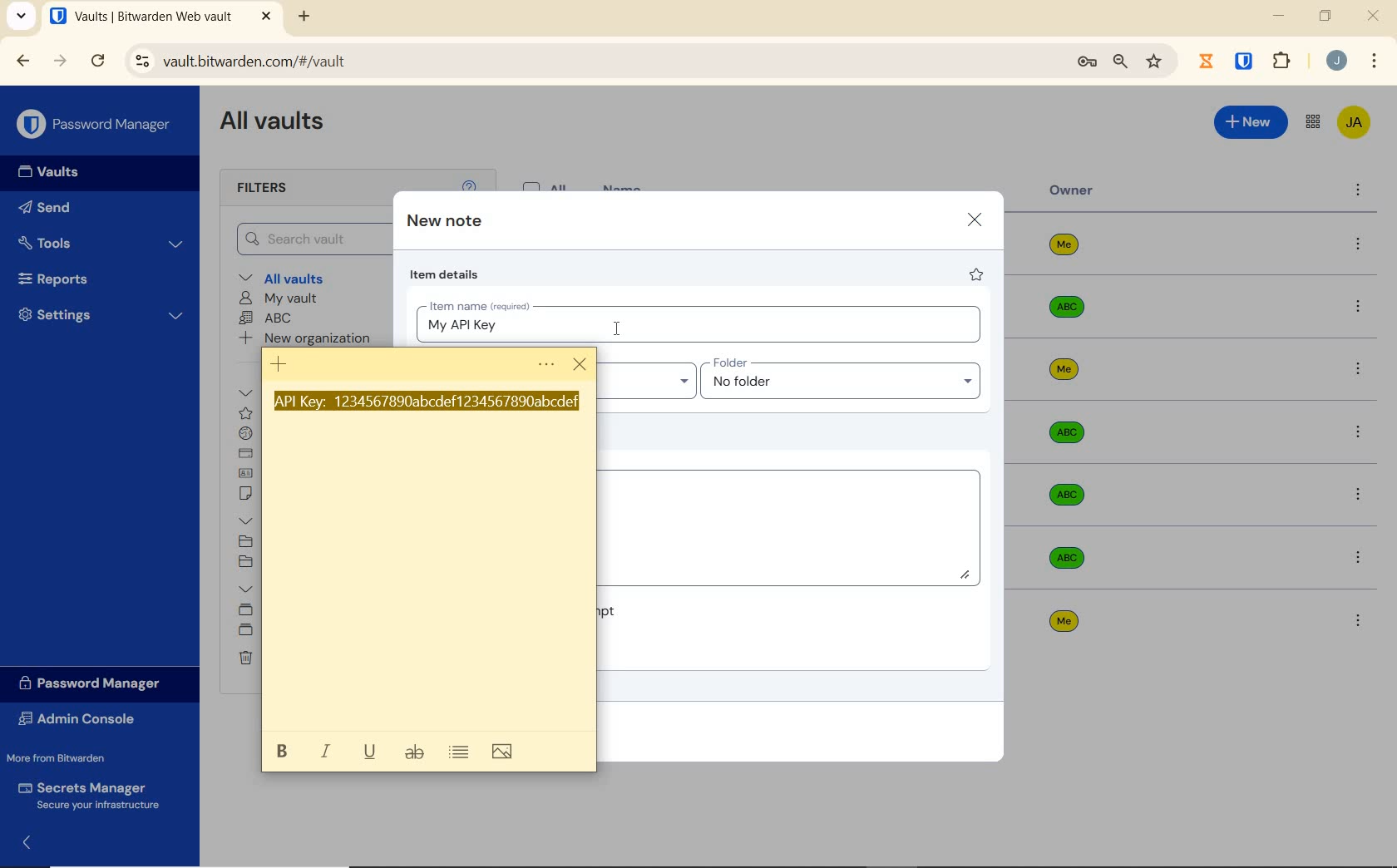  What do you see at coordinates (93, 793) in the screenshot?
I see `Secrets Manager` at bounding box center [93, 793].